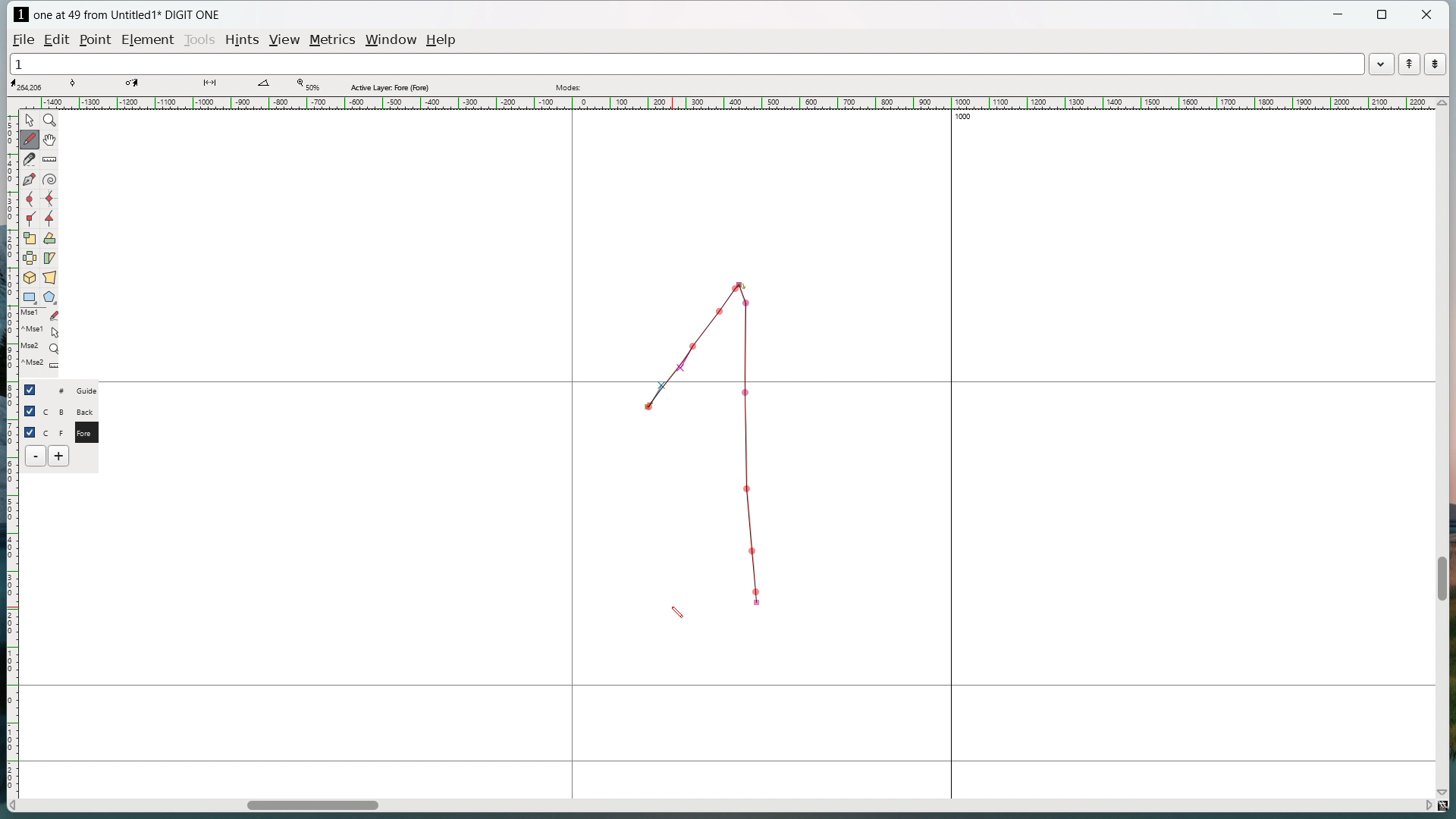 This screenshot has height=819, width=1456. Describe the element at coordinates (1426, 804) in the screenshot. I see `scroll right` at that location.